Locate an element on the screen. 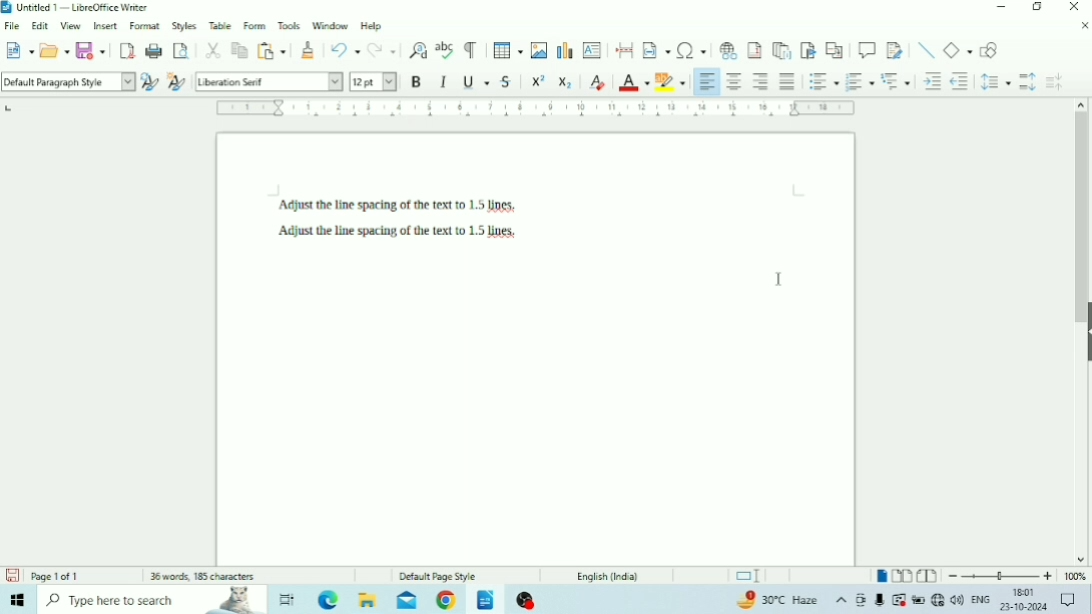 Image resolution: width=1092 pixels, height=614 pixels. Italic is located at coordinates (444, 82).